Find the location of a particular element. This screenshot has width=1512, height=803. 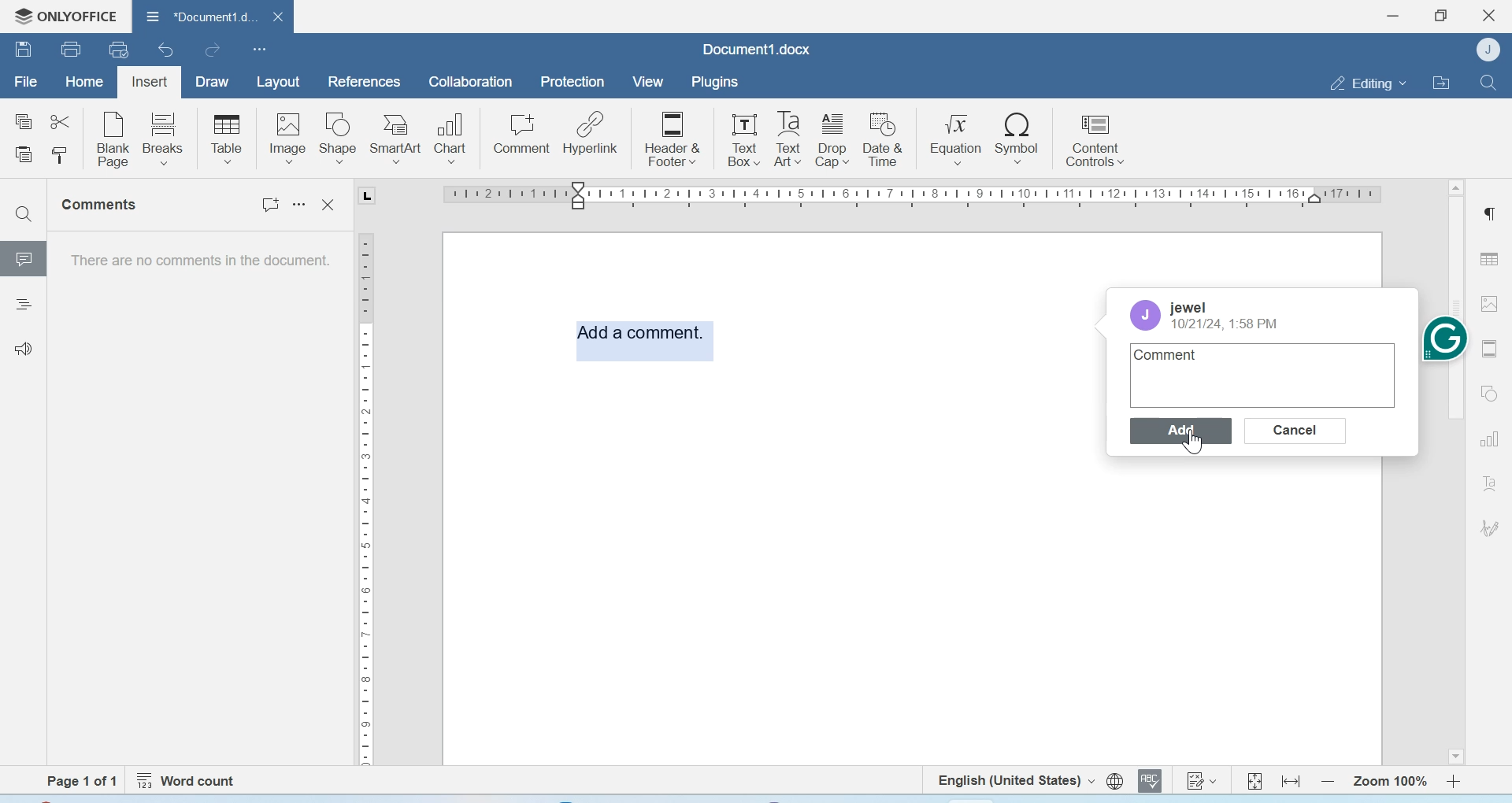

There are no comments in the document. is located at coordinates (198, 265).